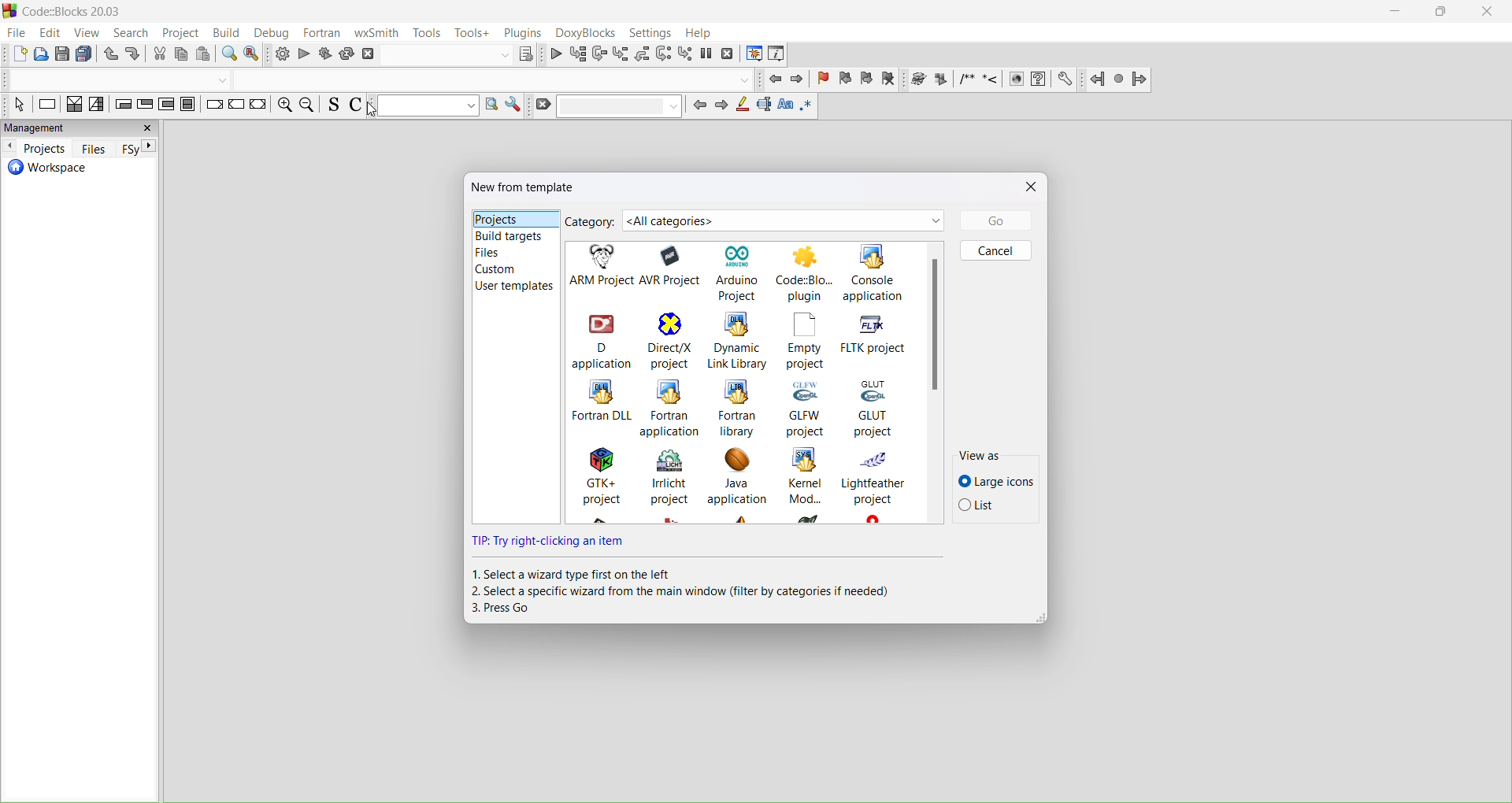  I want to click on settings, so click(650, 35).